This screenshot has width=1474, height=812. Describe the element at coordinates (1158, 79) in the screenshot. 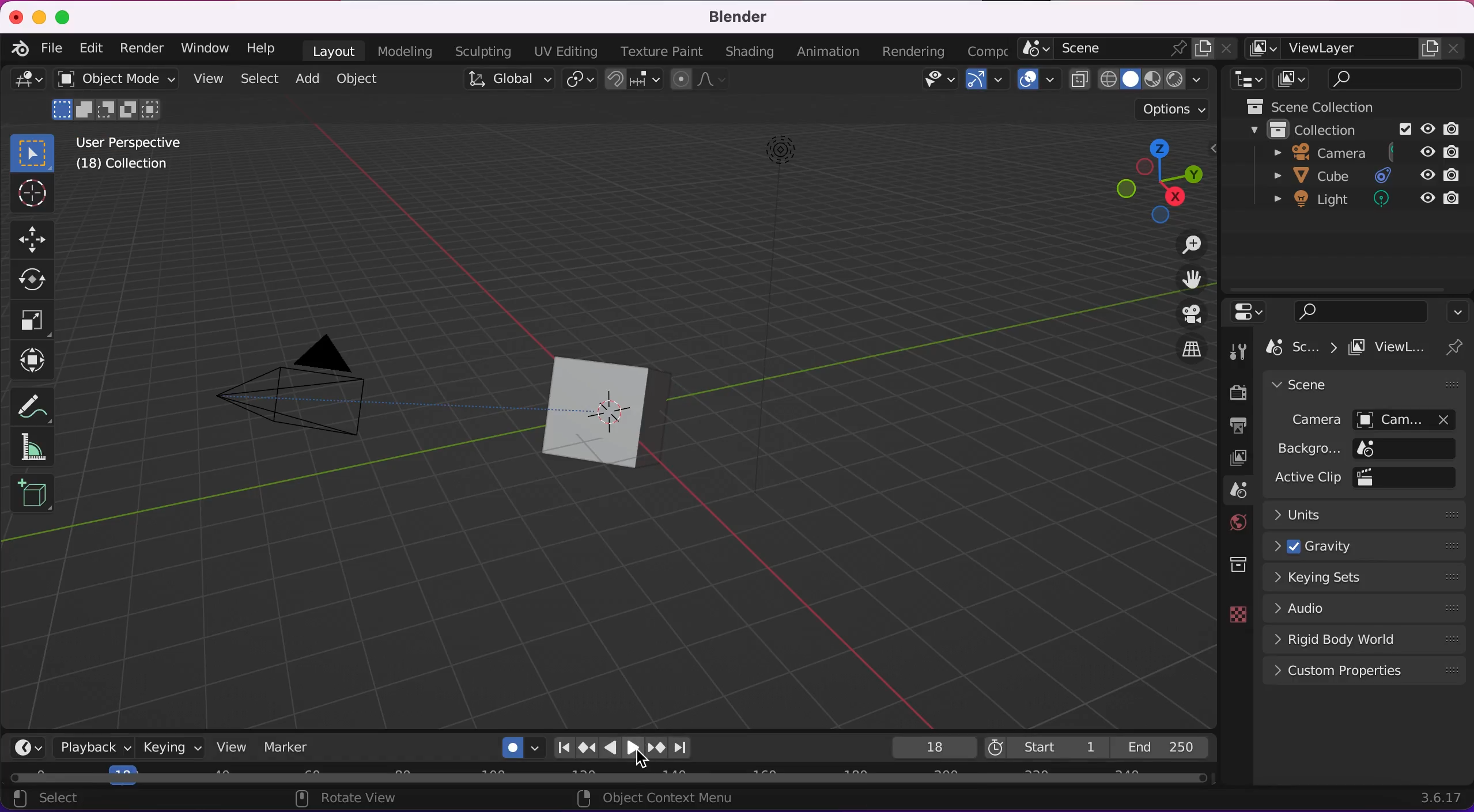

I see `shading` at that location.